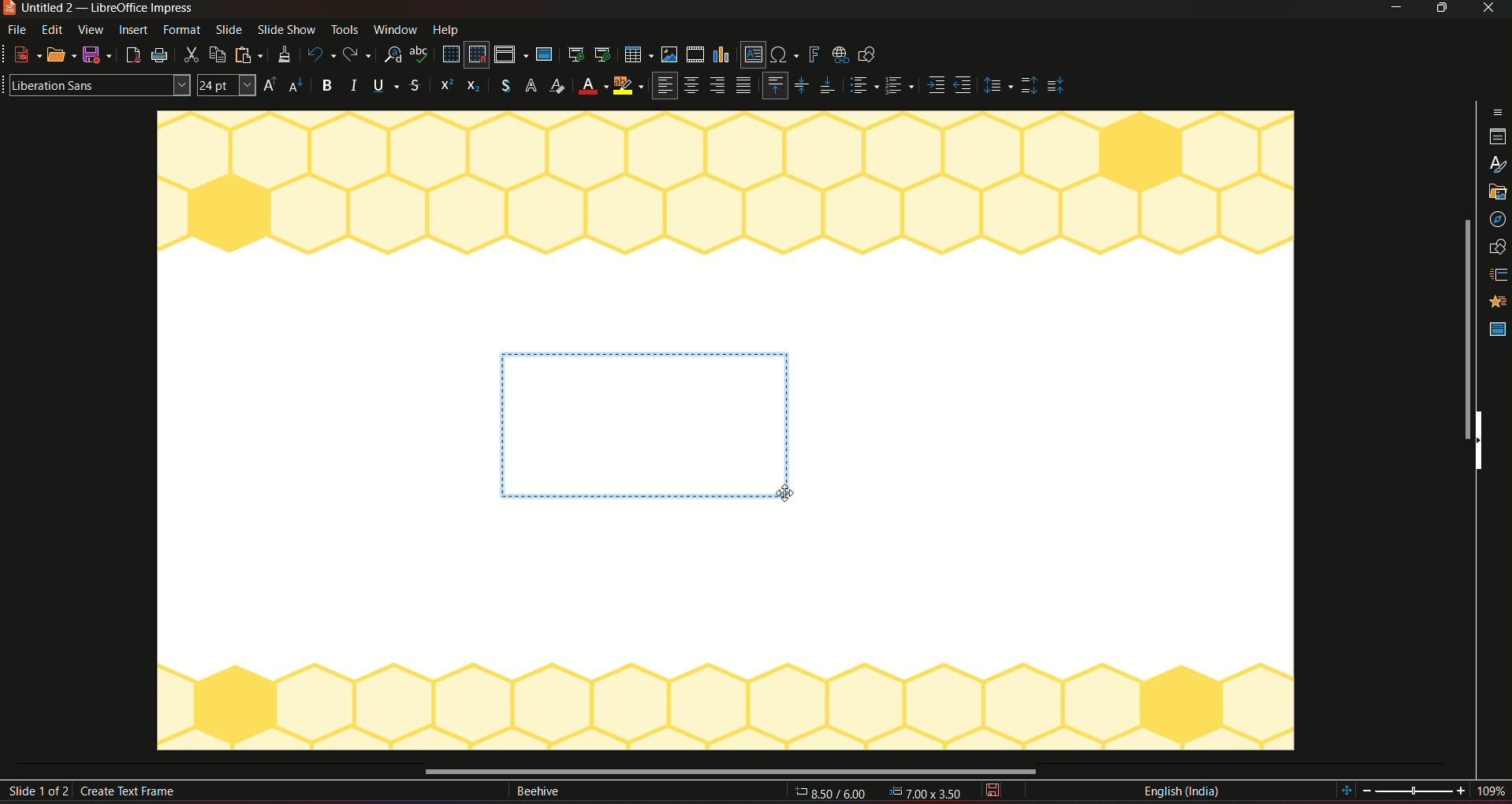 This screenshot has height=804, width=1512. Describe the element at coordinates (1496, 792) in the screenshot. I see `current zoom` at that location.